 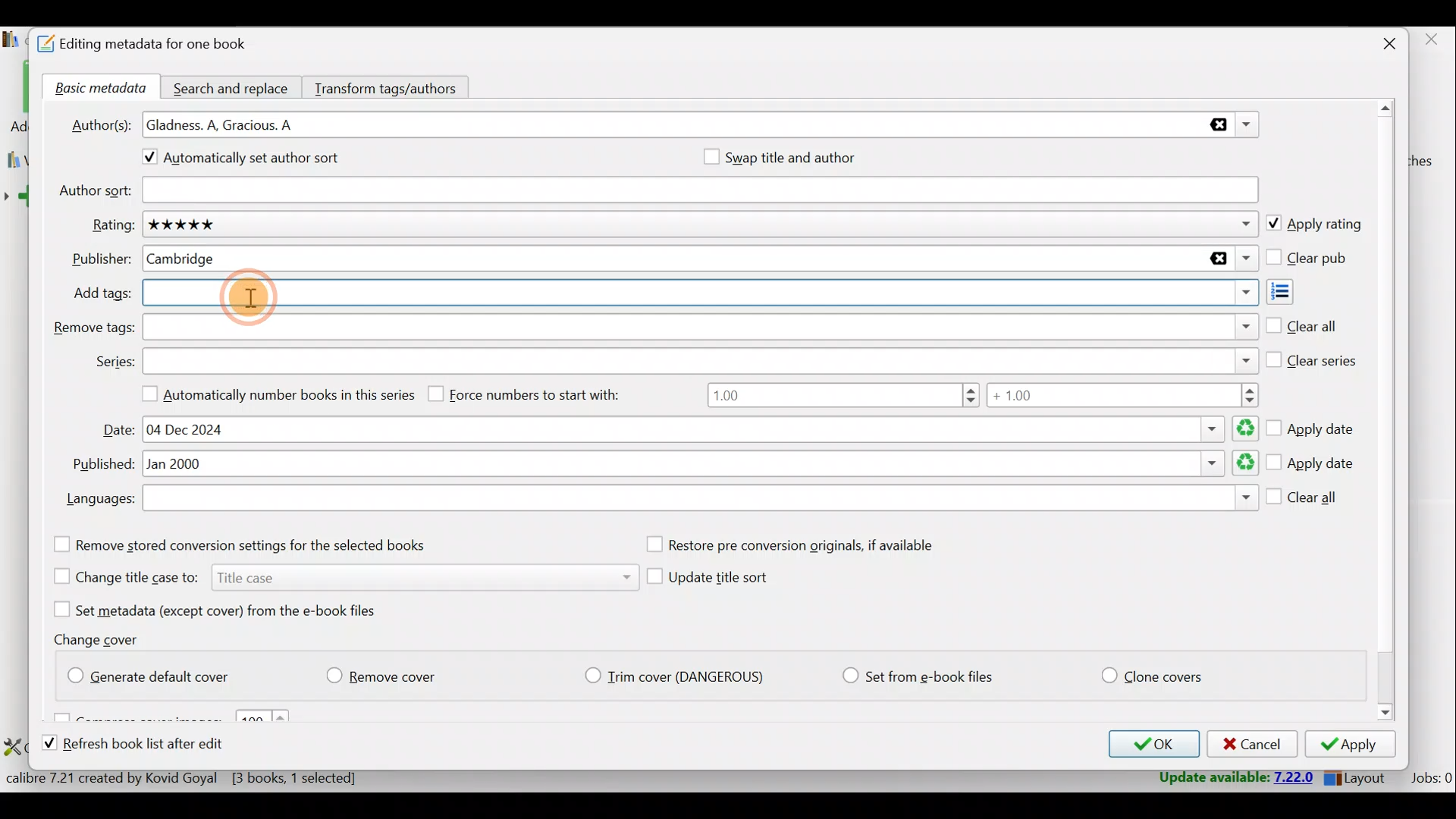 I want to click on Update title sort, so click(x=722, y=580).